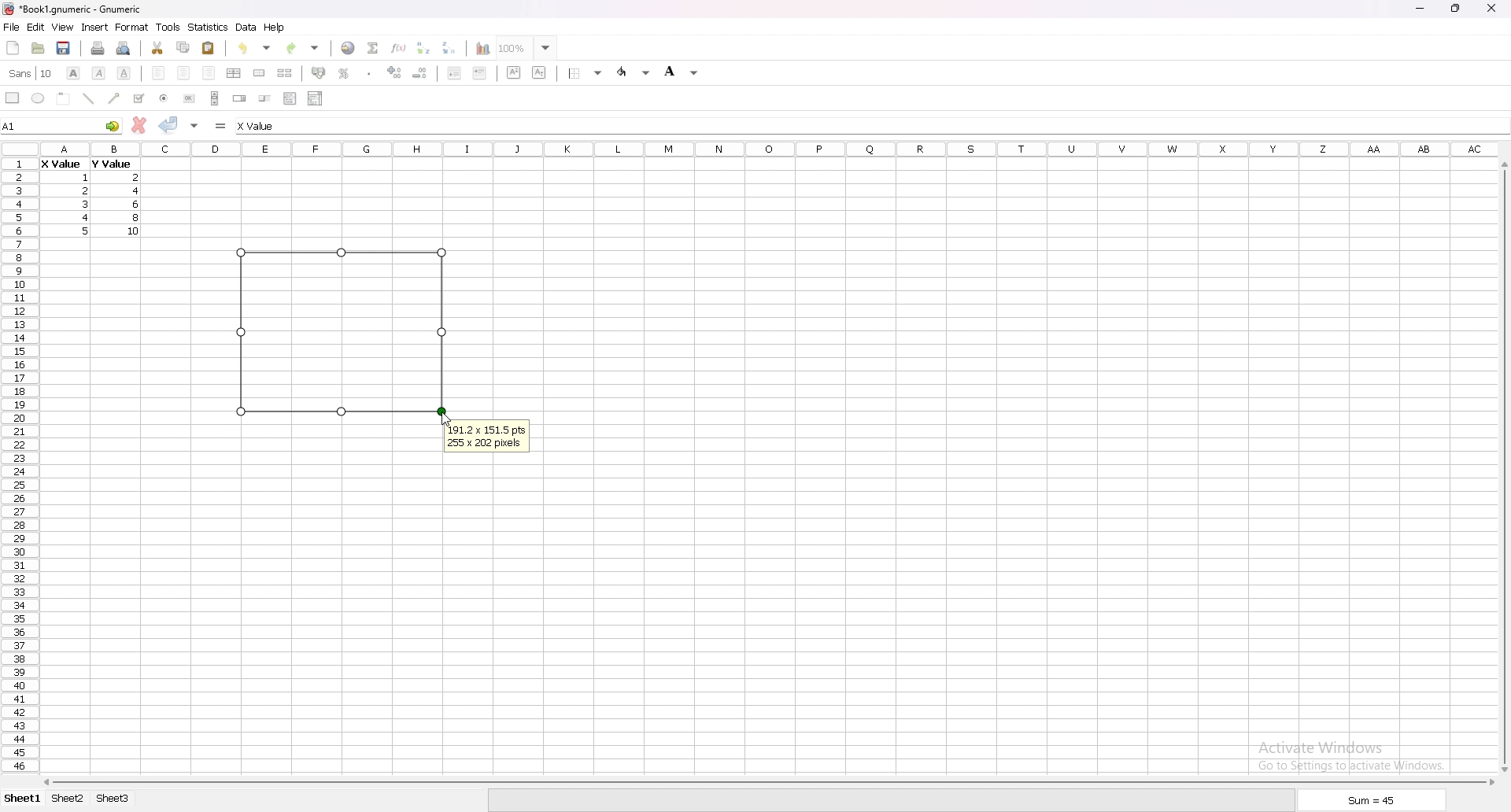  What do you see at coordinates (124, 73) in the screenshot?
I see `underline` at bounding box center [124, 73].